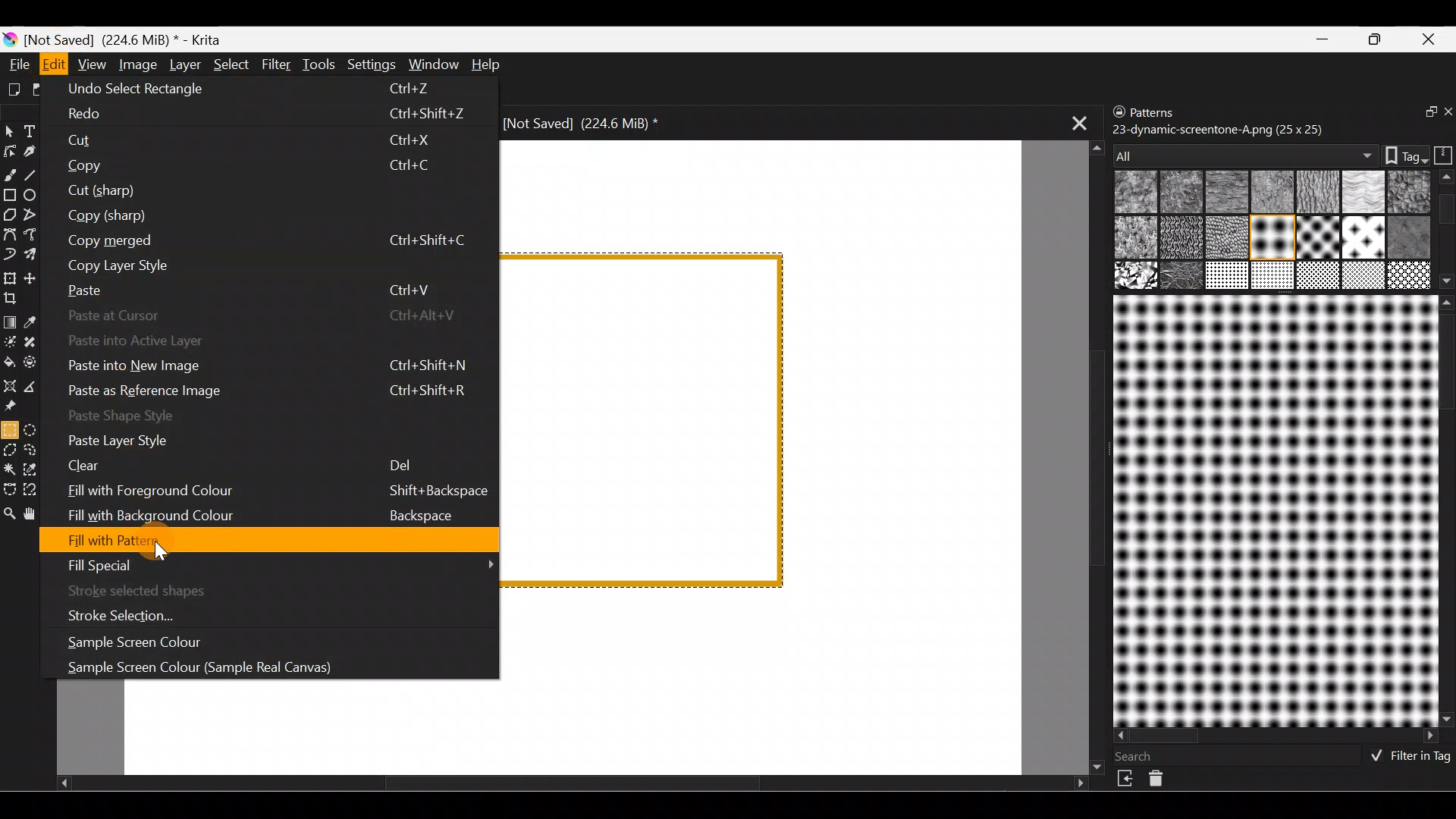 The height and width of the screenshot is (819, 1456). What do you see at coordinates (1412, 235) in the screenshot?
I see `13 drawed_swirl.png` at bounding box center [1412, 235].